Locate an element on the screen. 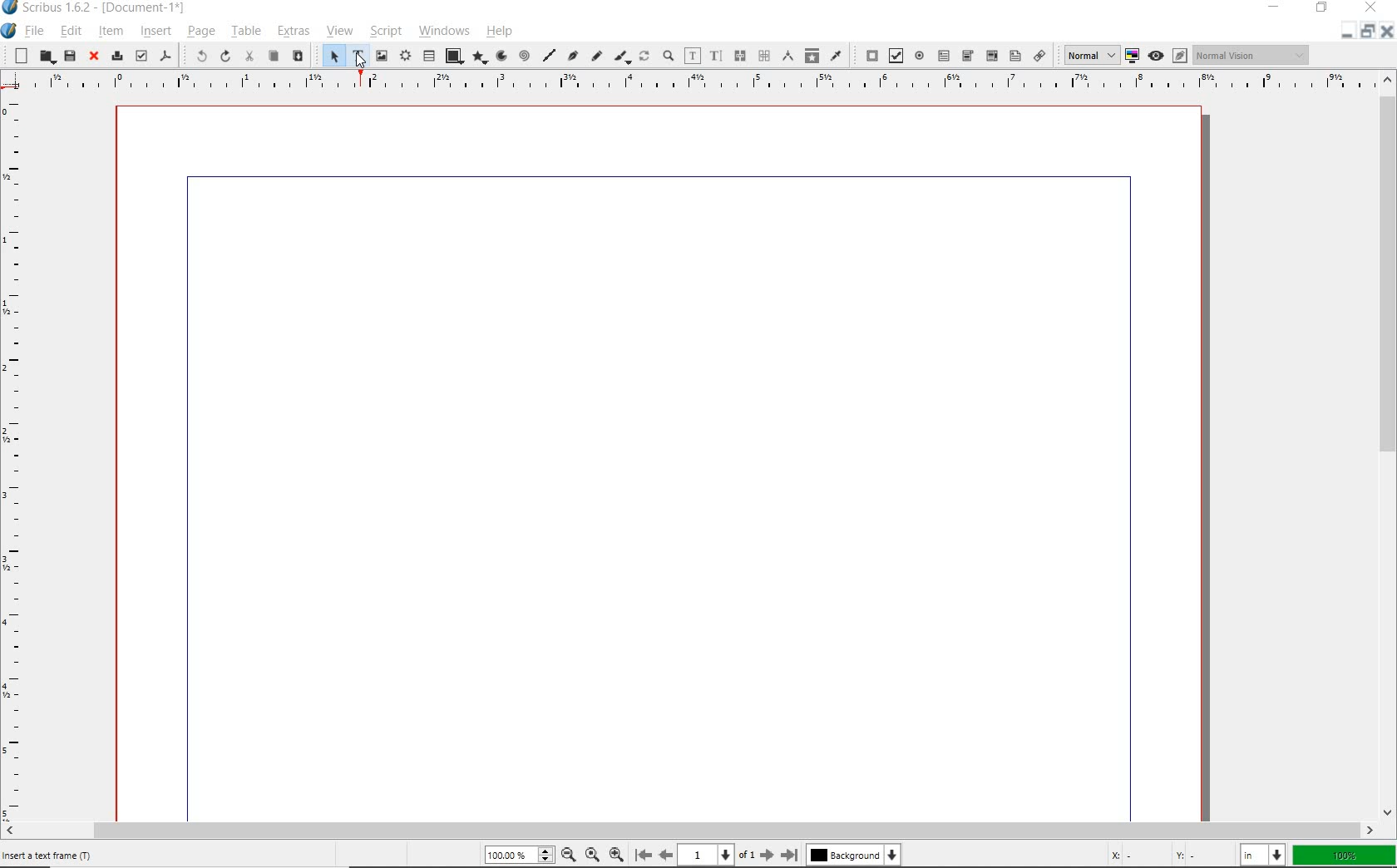  edit is located at coordinates (69, 32).